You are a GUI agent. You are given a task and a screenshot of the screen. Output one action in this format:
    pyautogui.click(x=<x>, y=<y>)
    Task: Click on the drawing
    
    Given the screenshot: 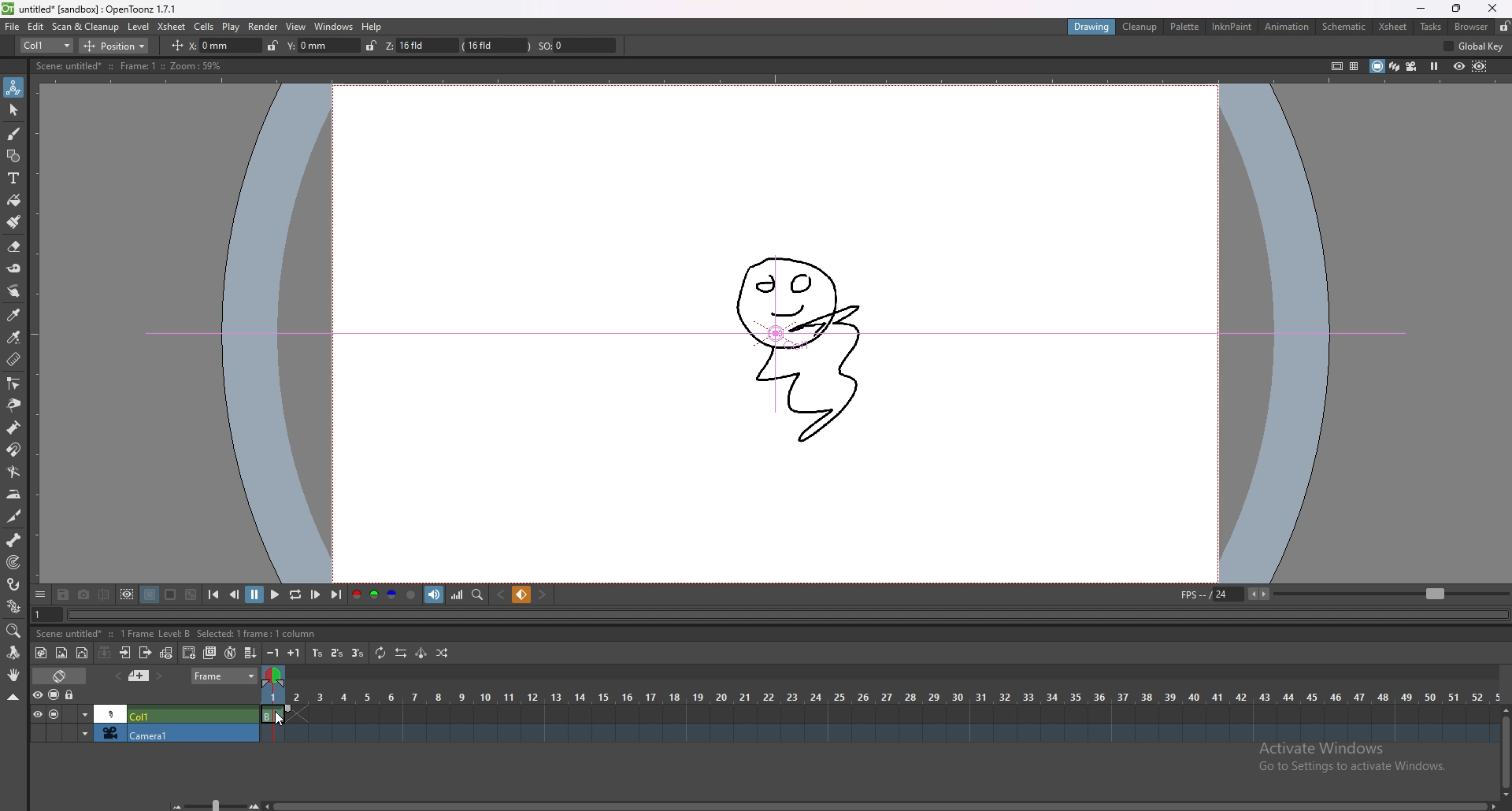 What is the action you would take?
    pyautogui.click(x=801, y=342)
    